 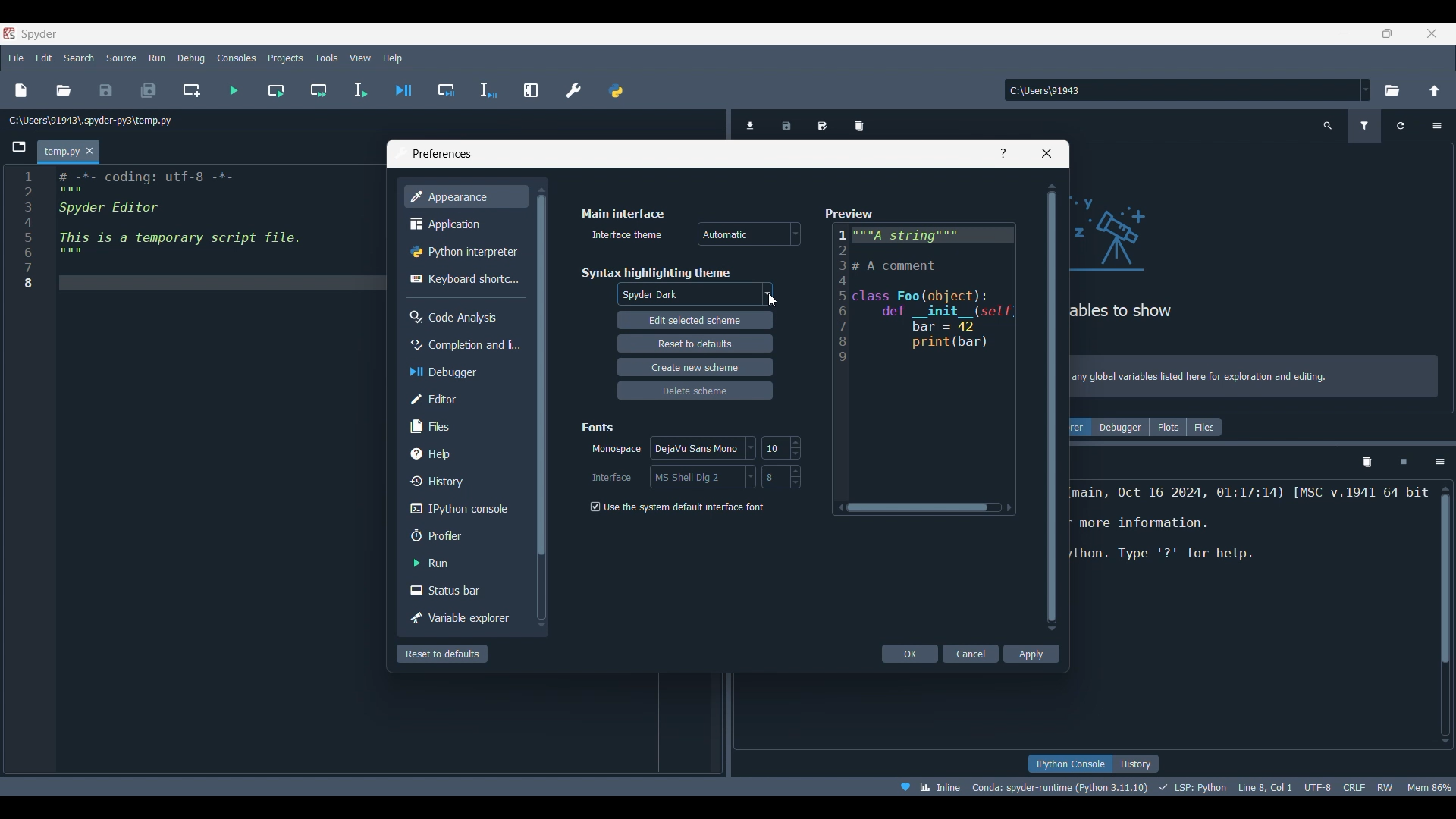 I want to click on Toggle for system default interface font, so click(x=676, y=507).